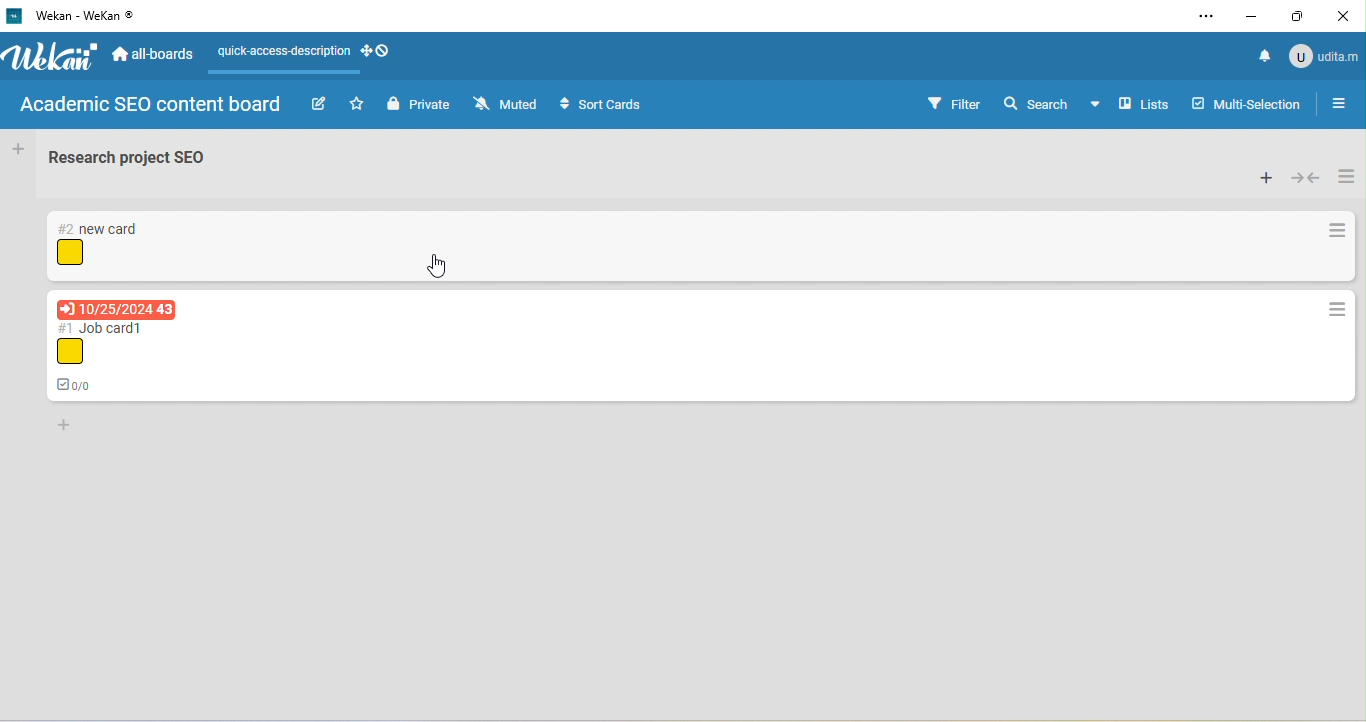  What do you see at coordinates (70, 253) in the screenshot?
I see `icon` at bounding box center [70, 253].